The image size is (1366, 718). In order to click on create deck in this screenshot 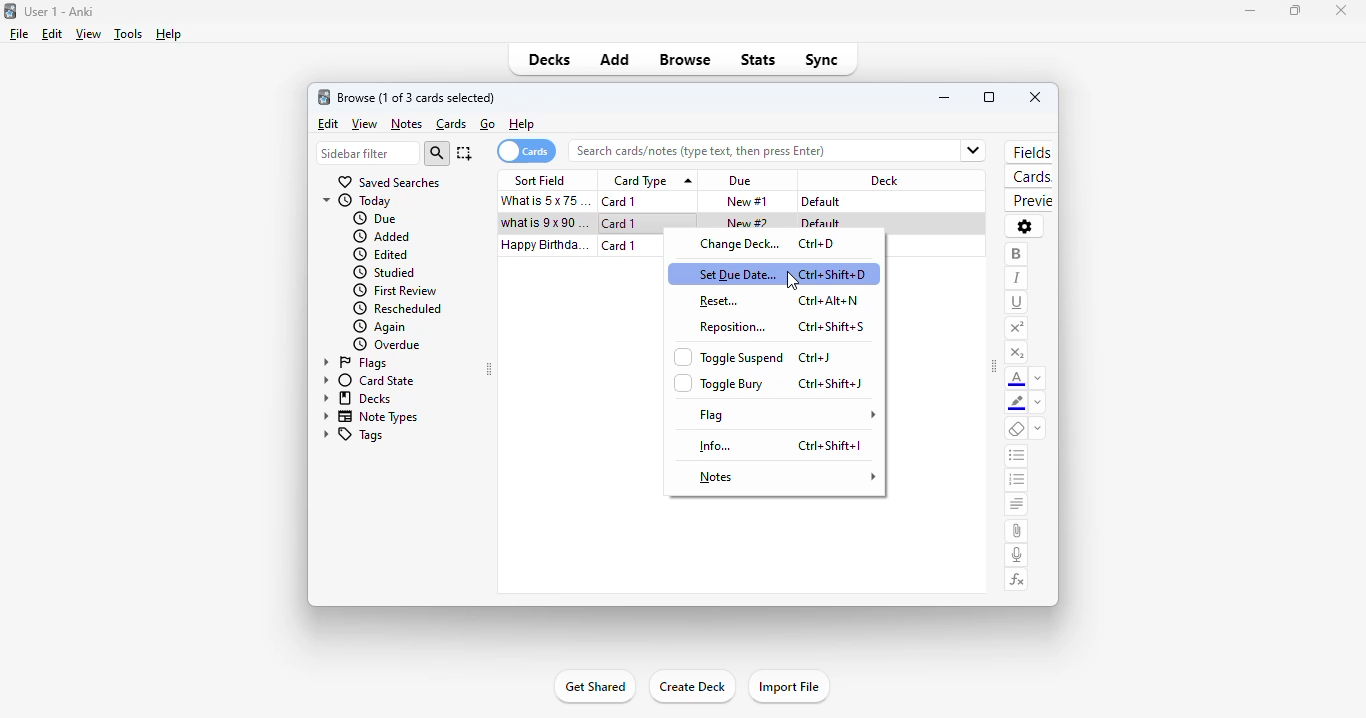, I will do `click(690, 685)`.